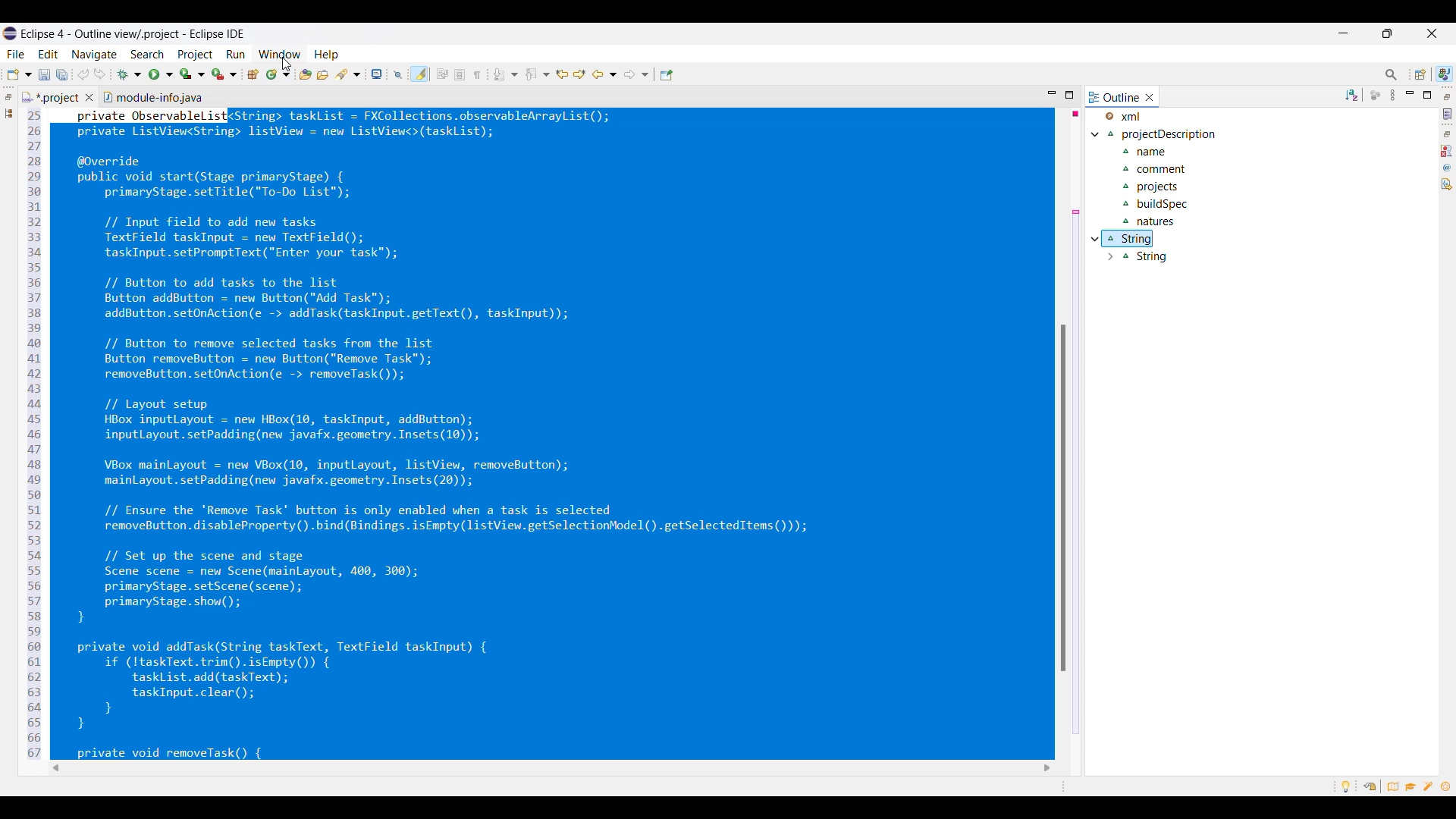 This screenshot has width=1456, height=819. I want to click on Minimize, so click(1410, 95).